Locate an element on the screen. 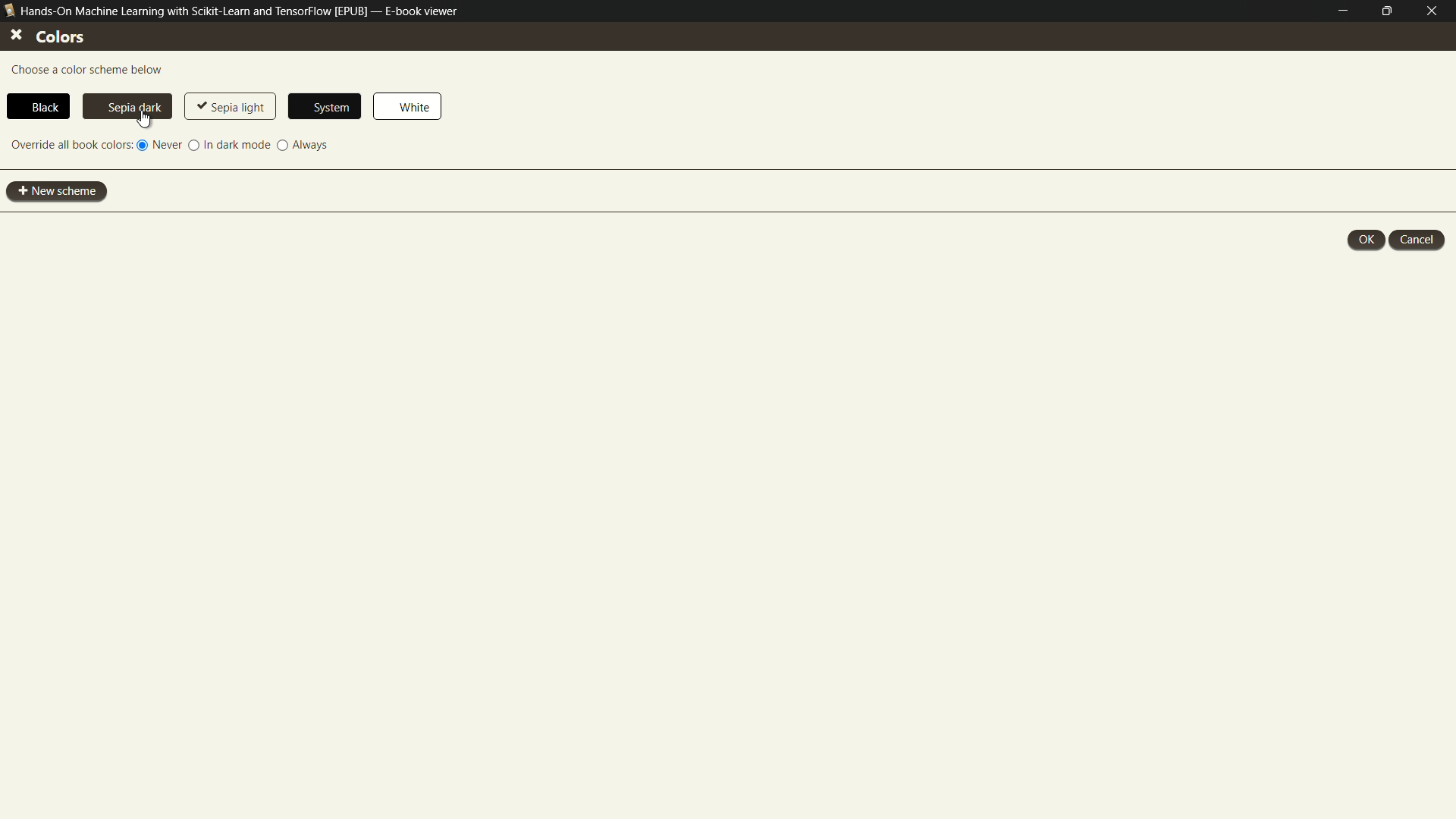  sepia dark is located at coordinates (133, 105).